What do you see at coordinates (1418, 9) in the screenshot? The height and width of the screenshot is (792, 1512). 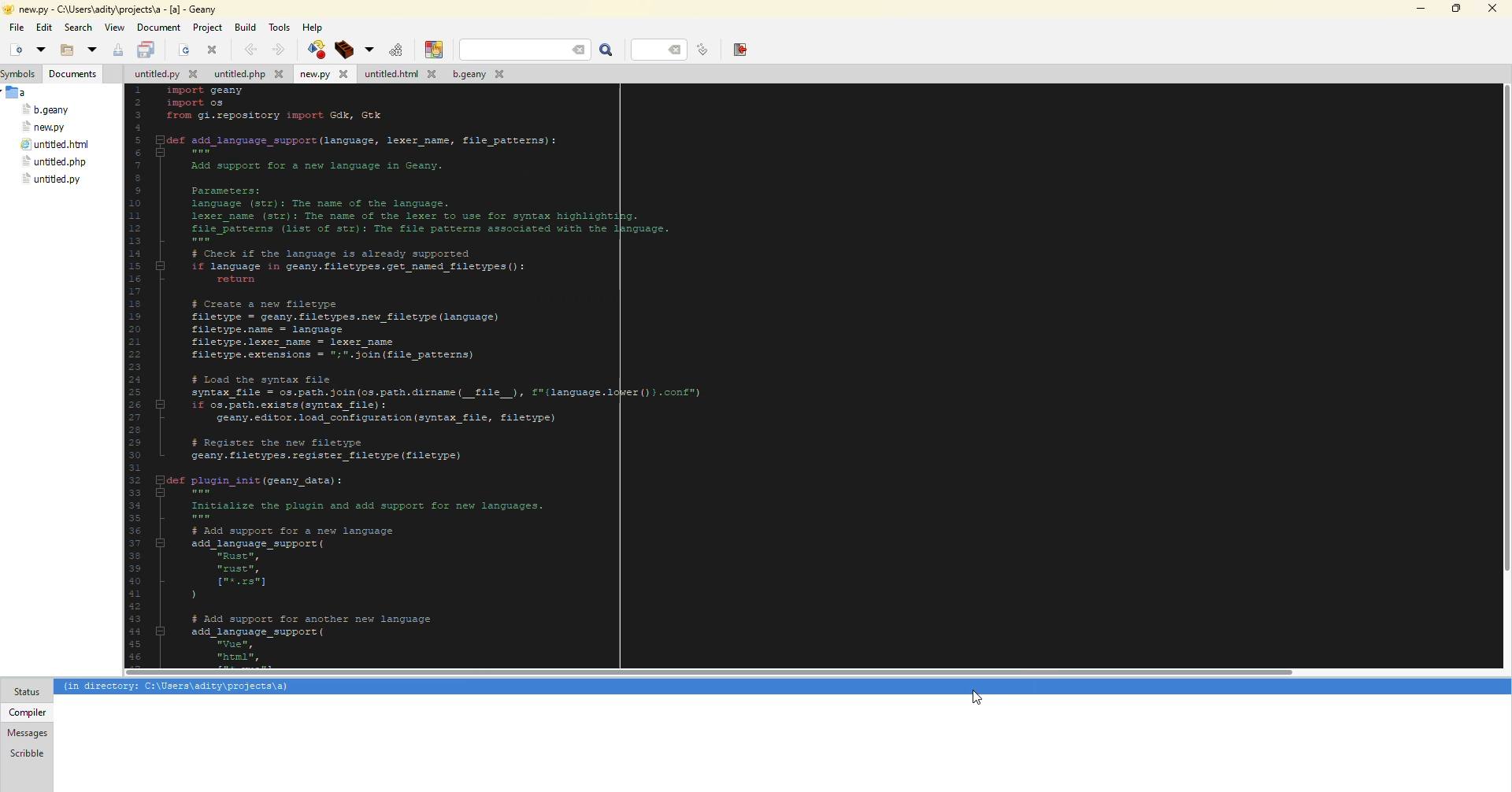 I see `minimize` at bounding box center [1418, 9].